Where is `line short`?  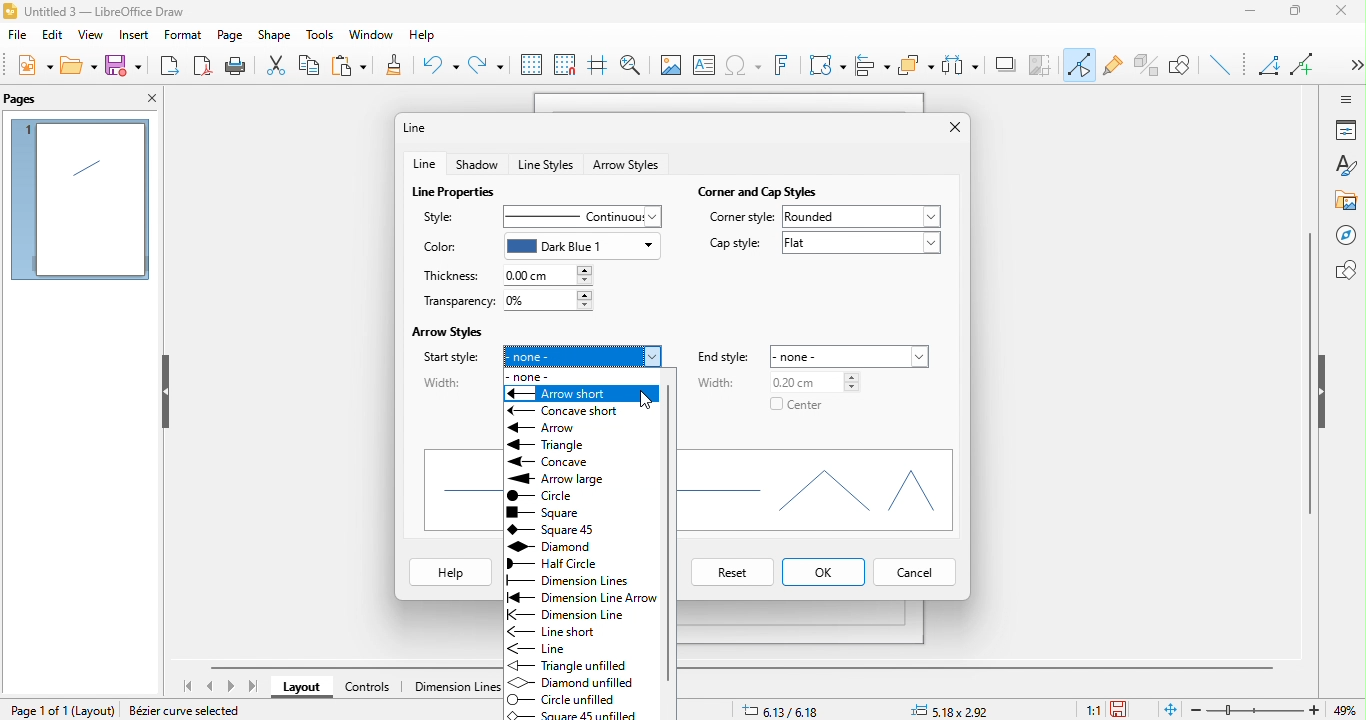
line short is located at coordinates (563, 630).